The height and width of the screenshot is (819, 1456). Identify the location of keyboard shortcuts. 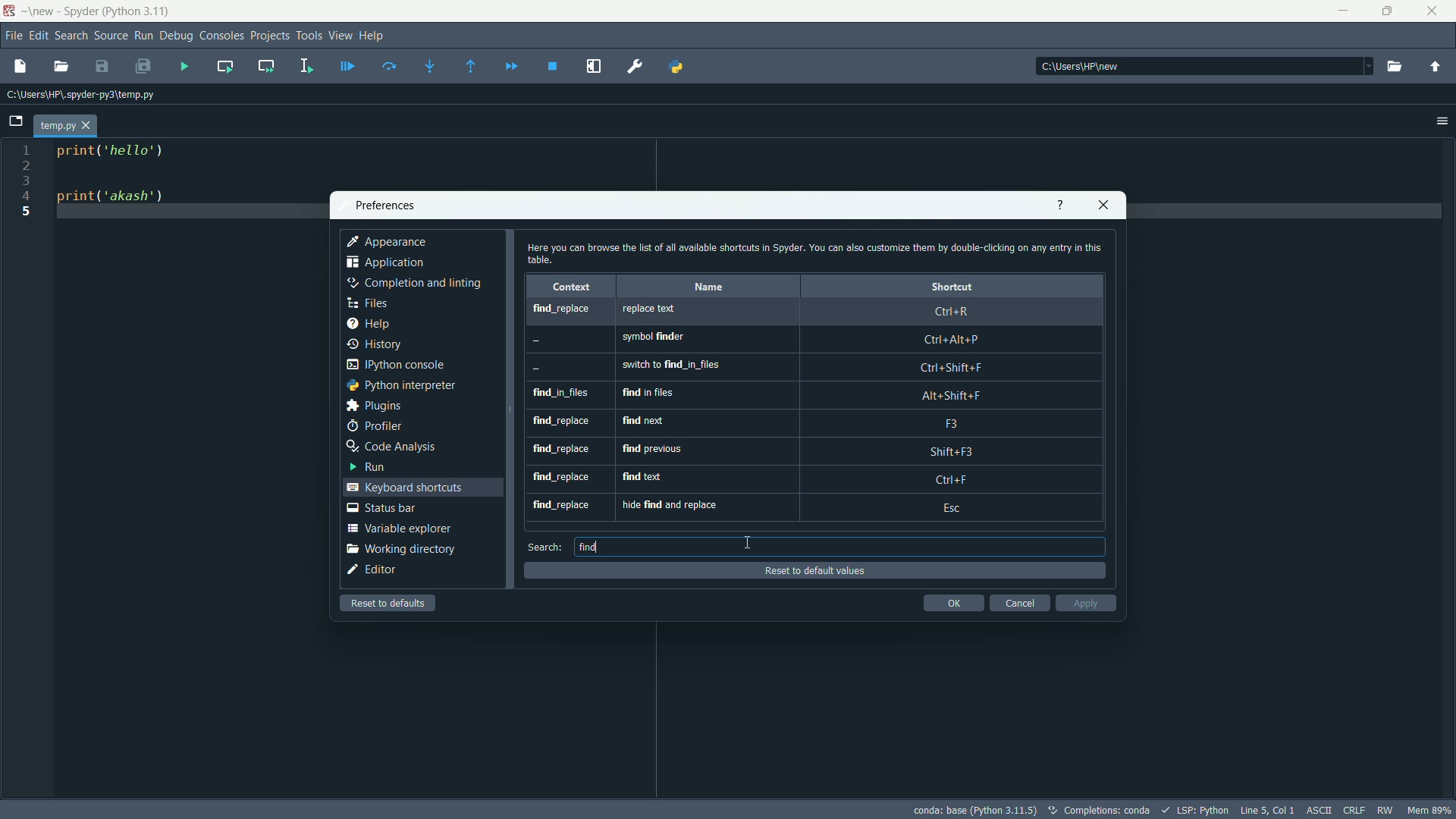
(403, 486).